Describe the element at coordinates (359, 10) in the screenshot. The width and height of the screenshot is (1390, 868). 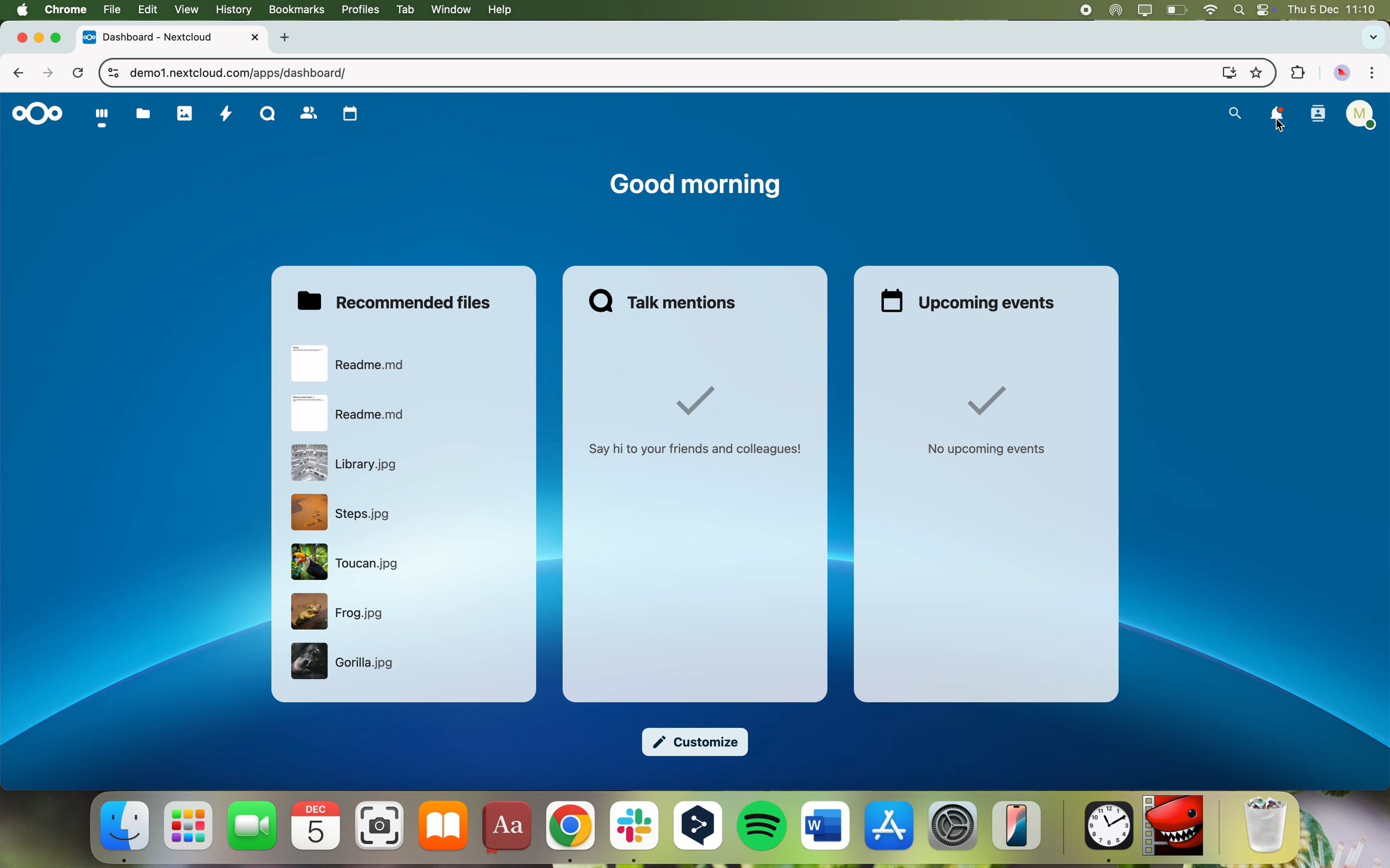
I see `profiles` at that location.